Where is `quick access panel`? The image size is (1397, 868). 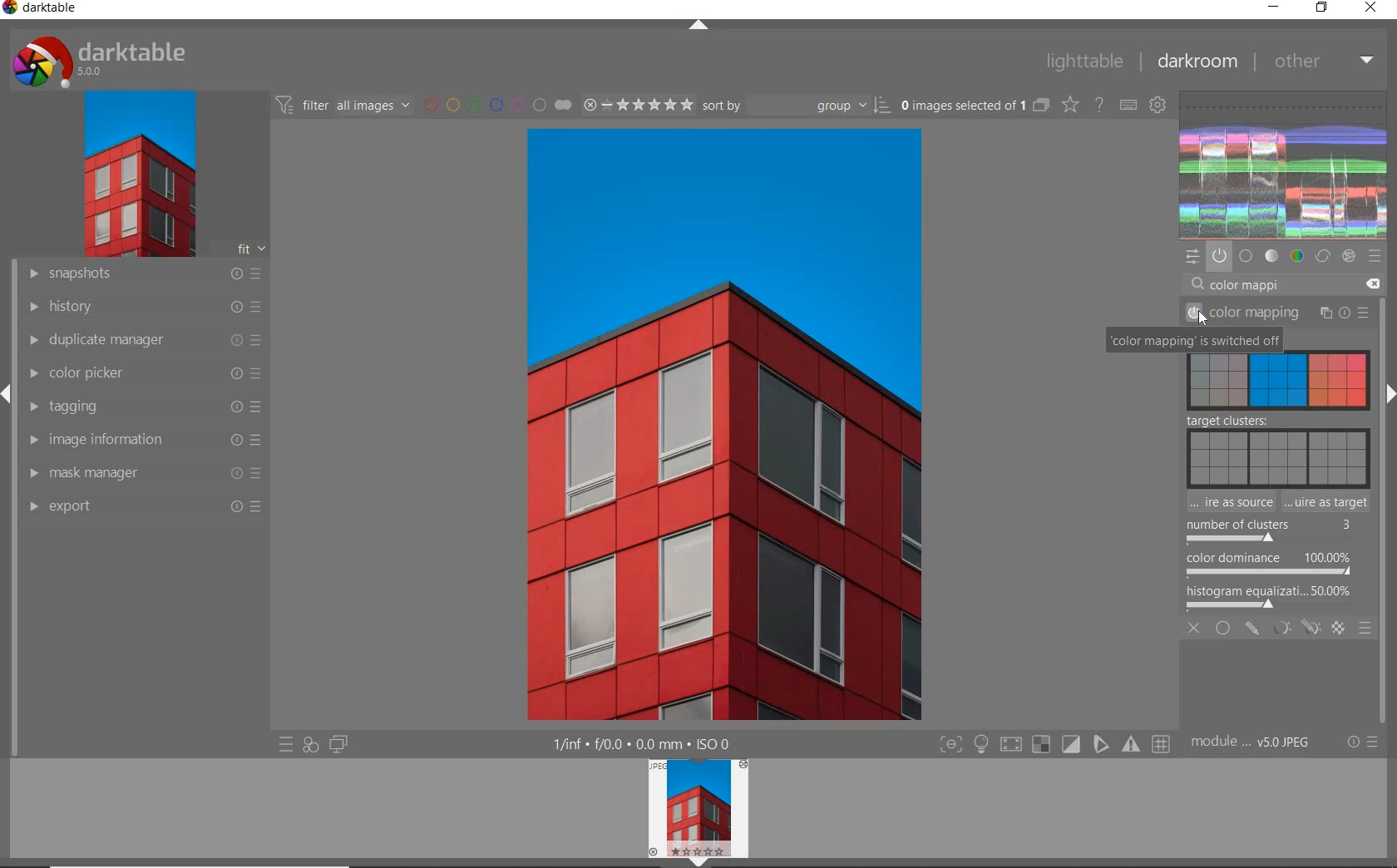 quick access panel is located at coordinates (1194, 256).